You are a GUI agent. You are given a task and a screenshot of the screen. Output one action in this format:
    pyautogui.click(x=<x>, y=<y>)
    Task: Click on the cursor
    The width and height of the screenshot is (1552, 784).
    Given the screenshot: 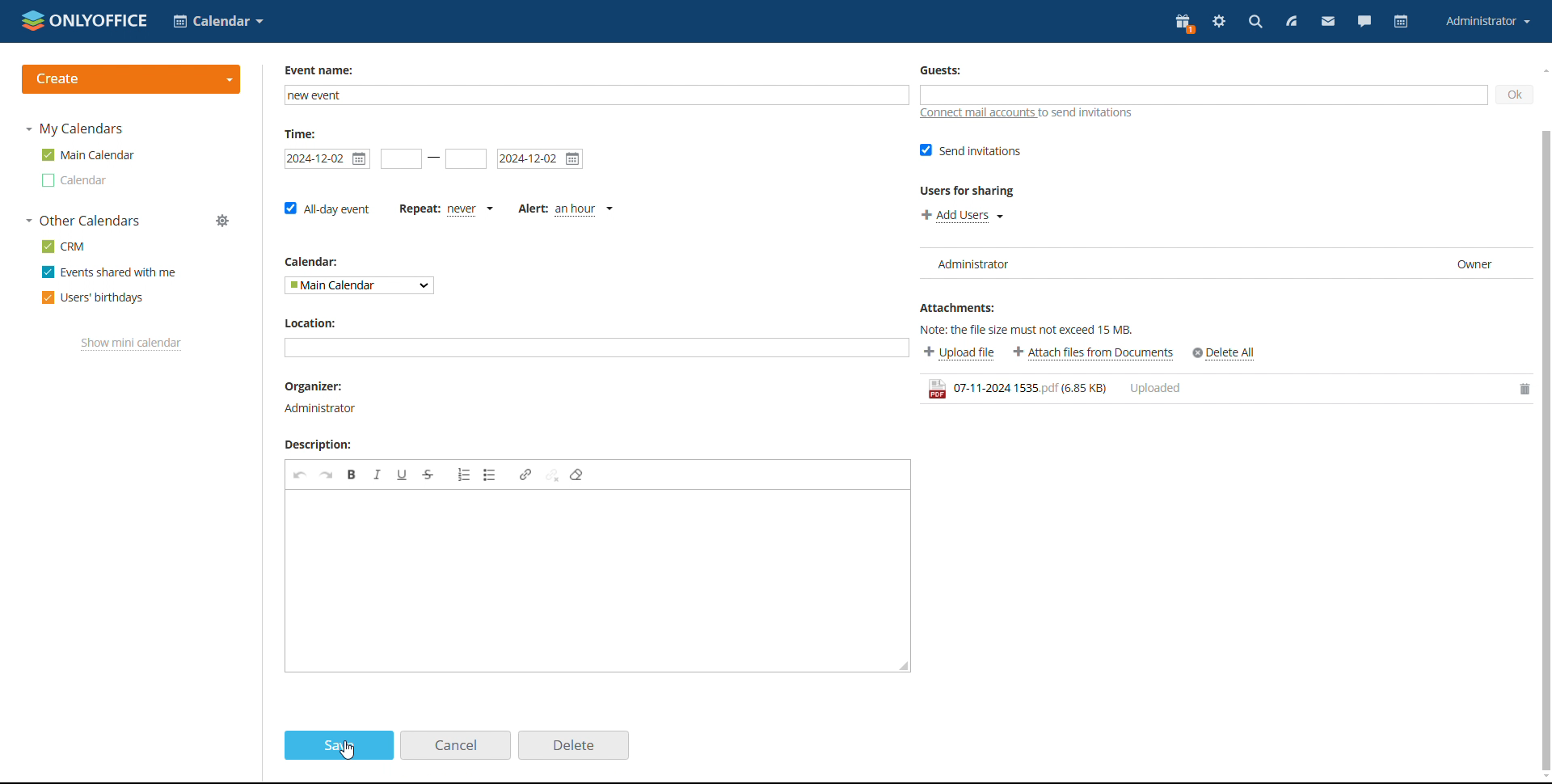 What is the action you would take?
    pyautogui.click(x=345, y=756)
    